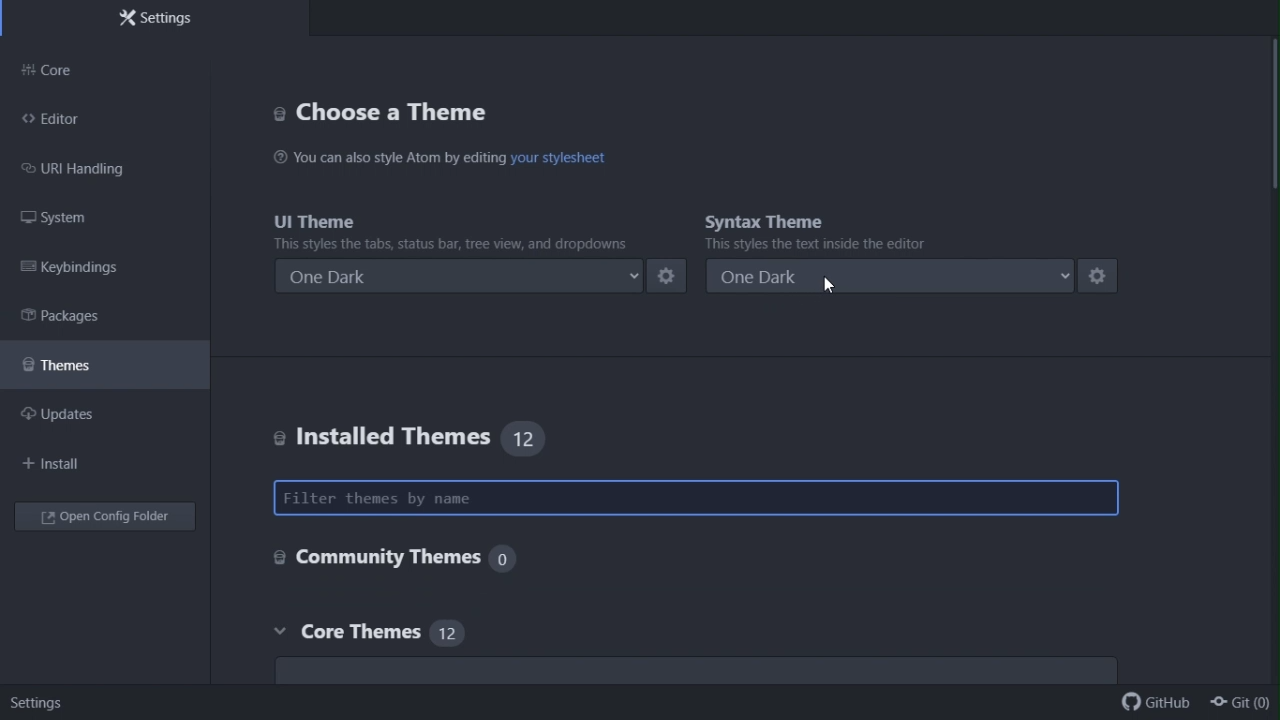 The height and width of the screenshot is (720, 1280). What do you see at coordinates (63, 121) in the screenshot?
I see `Editor` at bounding box center [63, 121].